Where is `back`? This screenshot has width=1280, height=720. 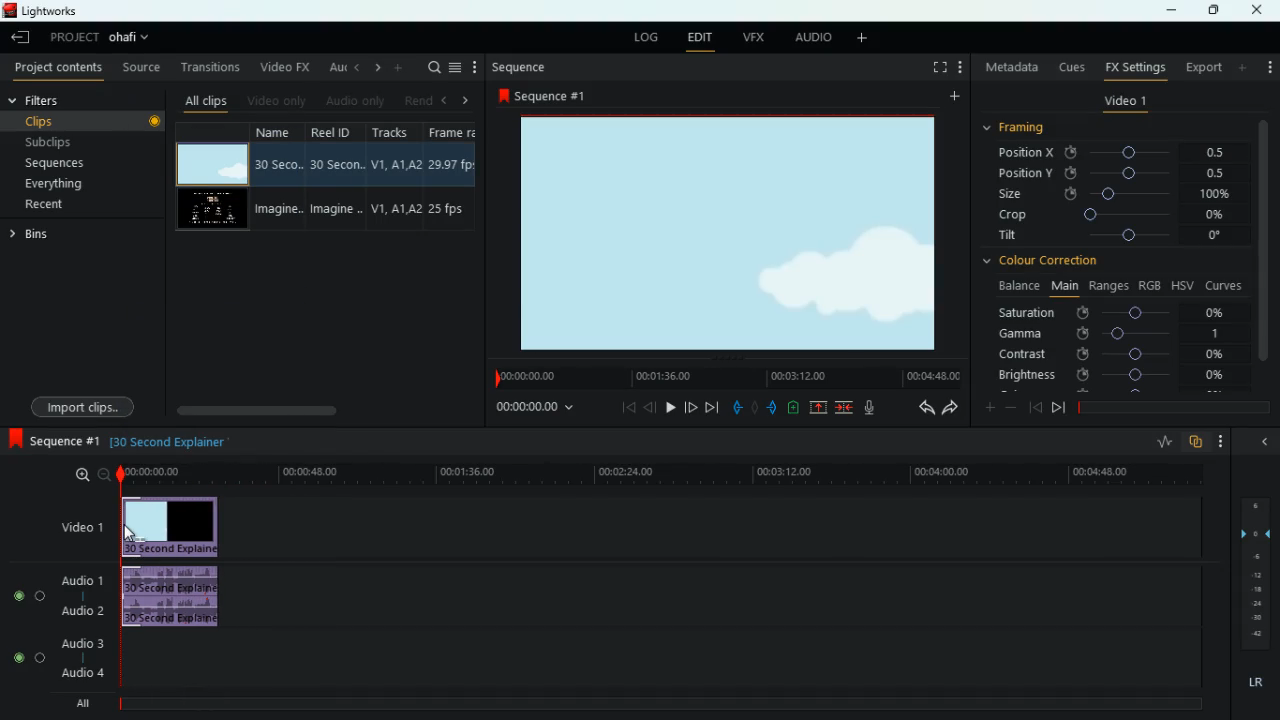 back is located at coordinates (653, 407).